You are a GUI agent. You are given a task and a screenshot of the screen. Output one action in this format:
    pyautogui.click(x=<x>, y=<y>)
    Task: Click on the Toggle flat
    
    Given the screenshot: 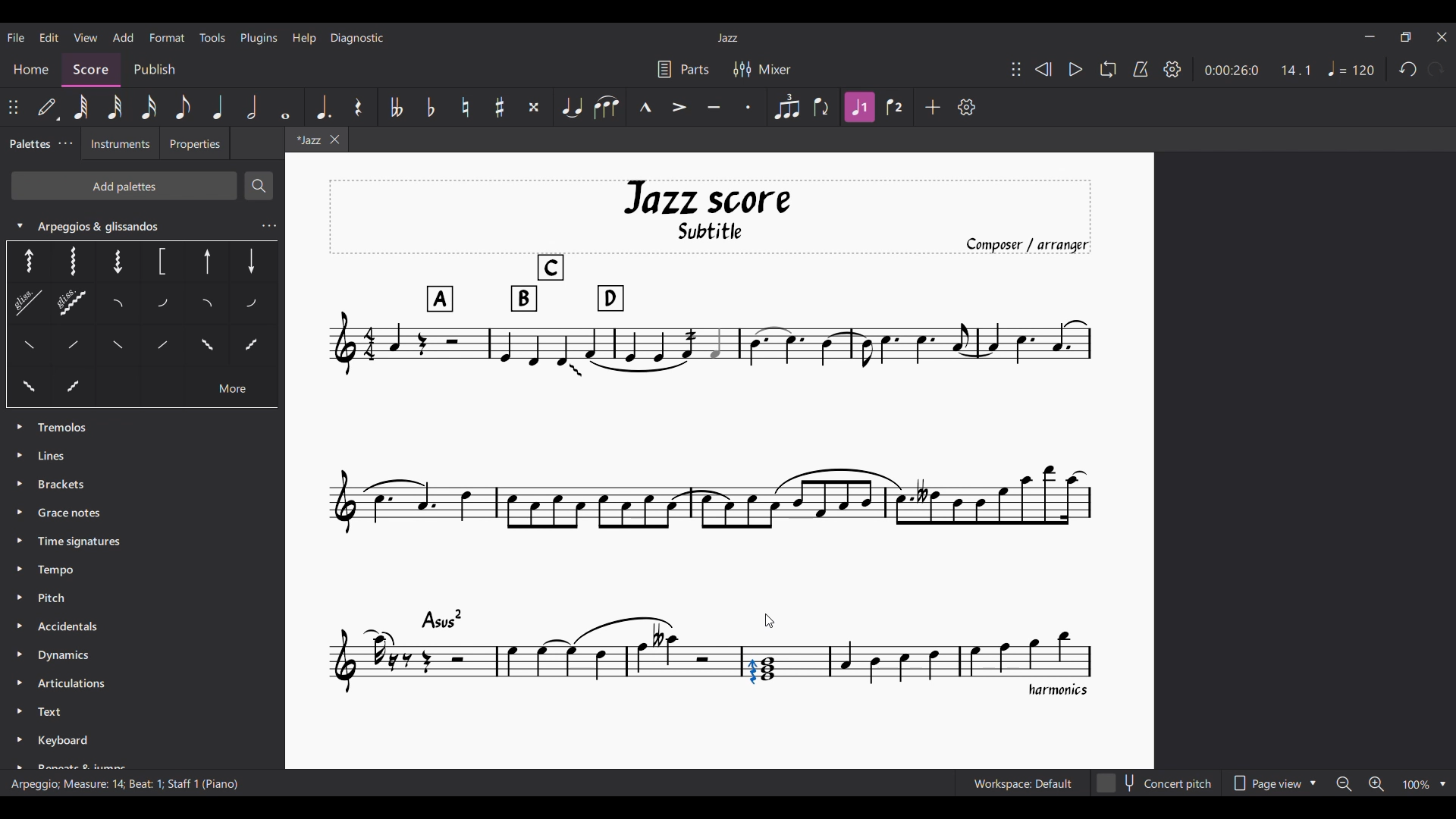 What is the action you would take?
    pyautogui.click(x=430, y=108)
    